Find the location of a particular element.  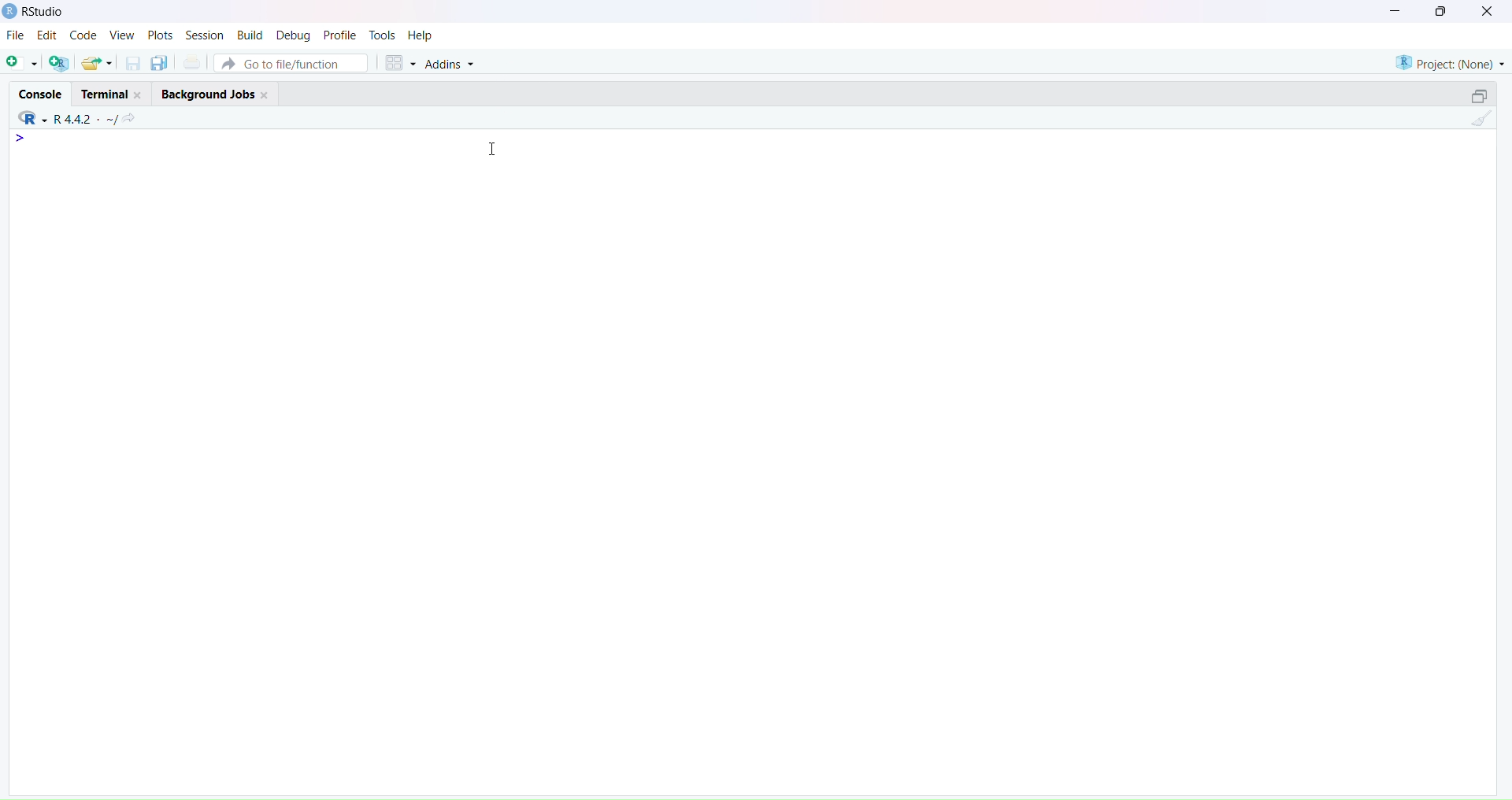

plots is located at coordinates (161, 35).